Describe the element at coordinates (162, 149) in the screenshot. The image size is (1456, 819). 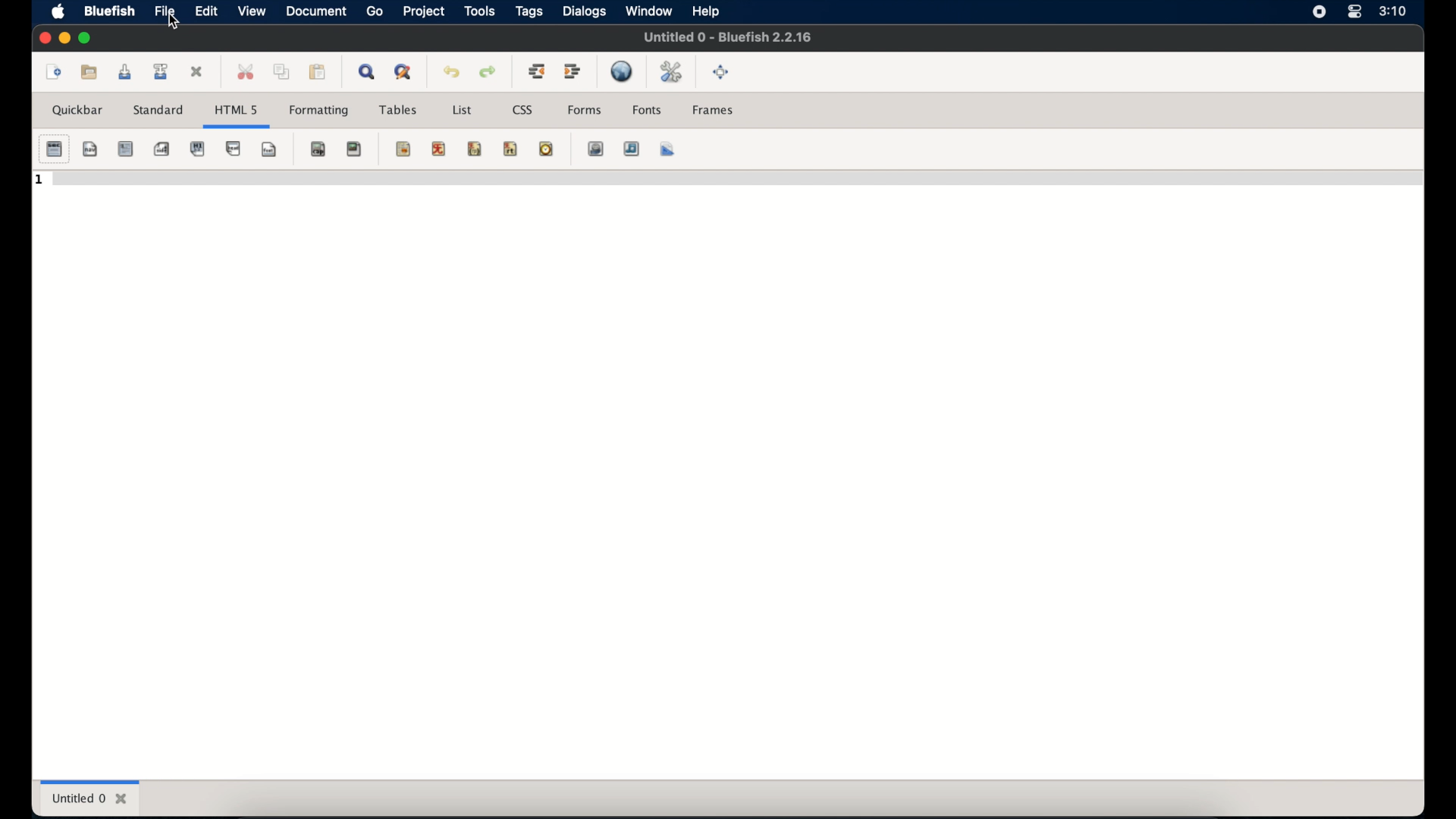
I see `emphasis` at that location.